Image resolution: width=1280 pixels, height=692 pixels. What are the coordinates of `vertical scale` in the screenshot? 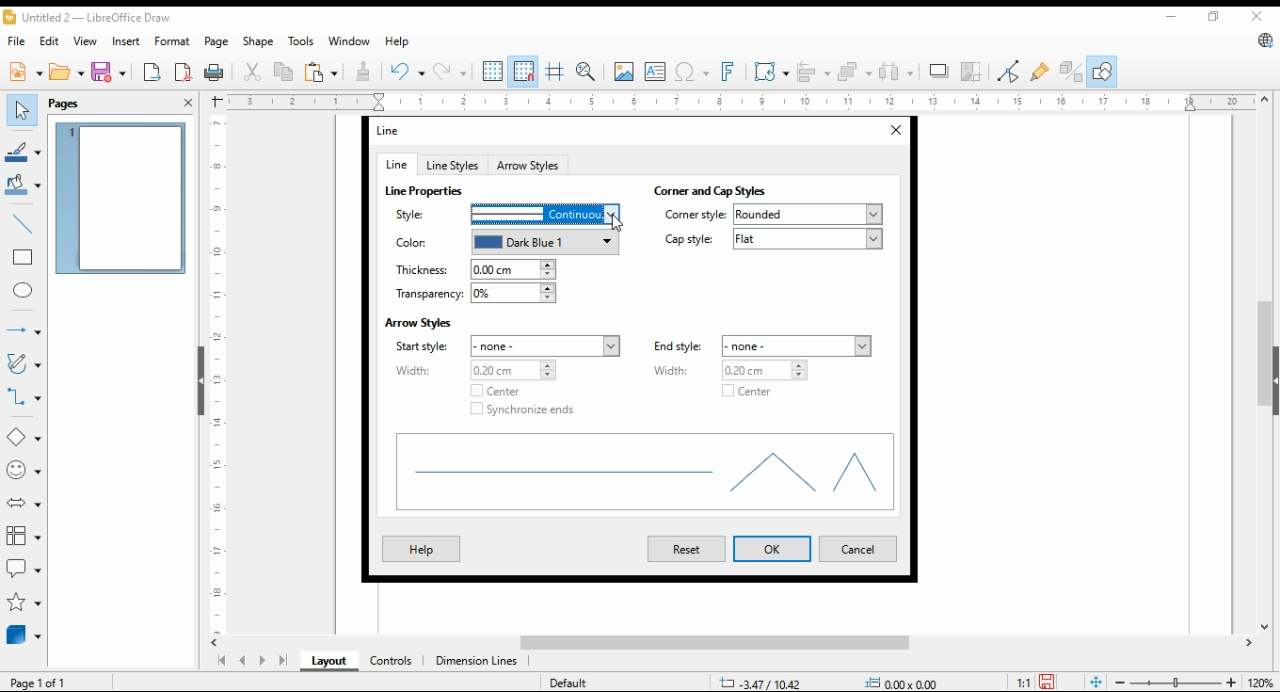 It's located at (215, 374).